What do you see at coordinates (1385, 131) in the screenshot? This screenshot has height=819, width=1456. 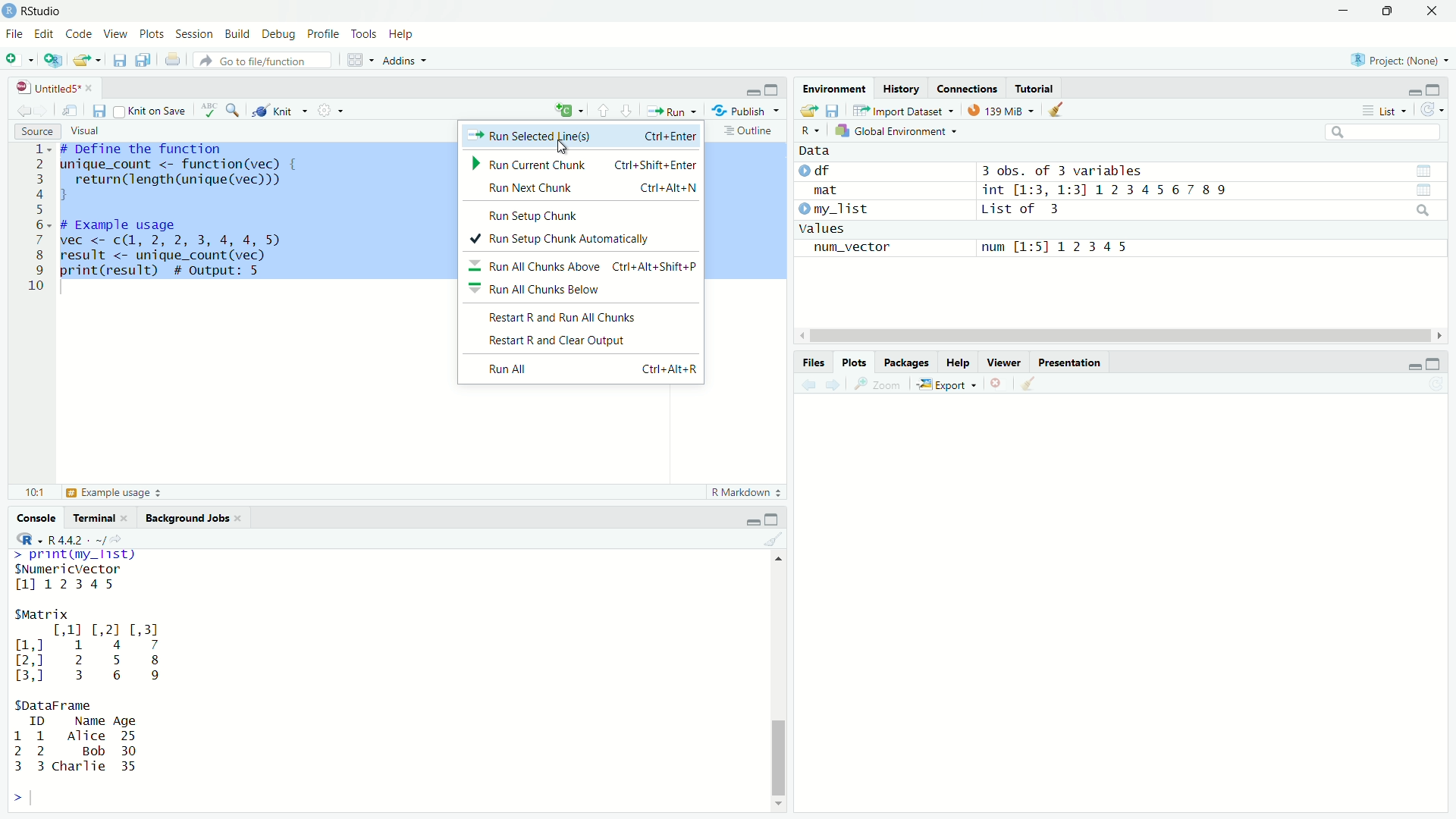 I see `search bar` at bounding box center [1385, 131].